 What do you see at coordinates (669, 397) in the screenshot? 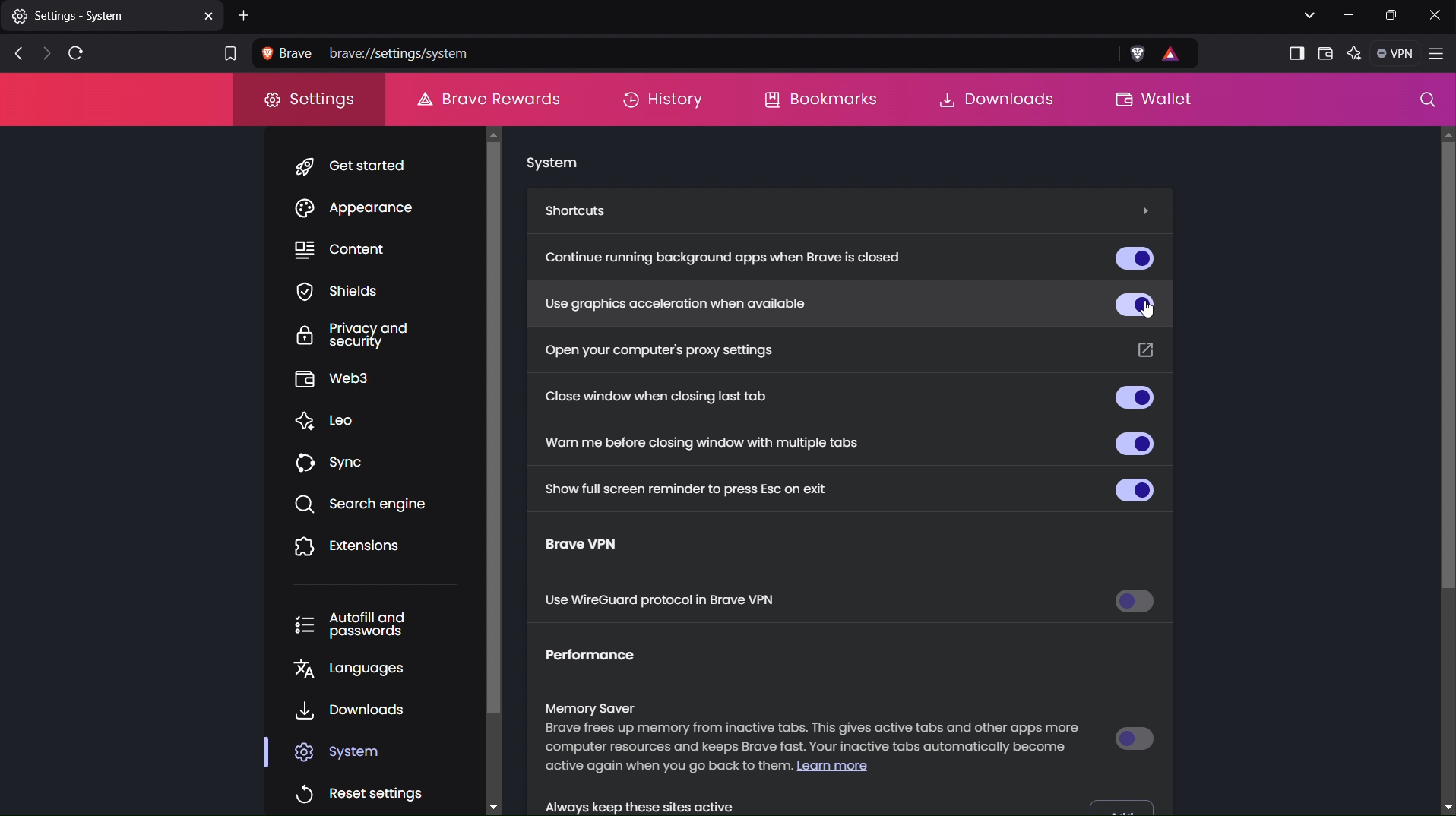
I see `Close window when closing last tab` at bounding box center [669, 397].